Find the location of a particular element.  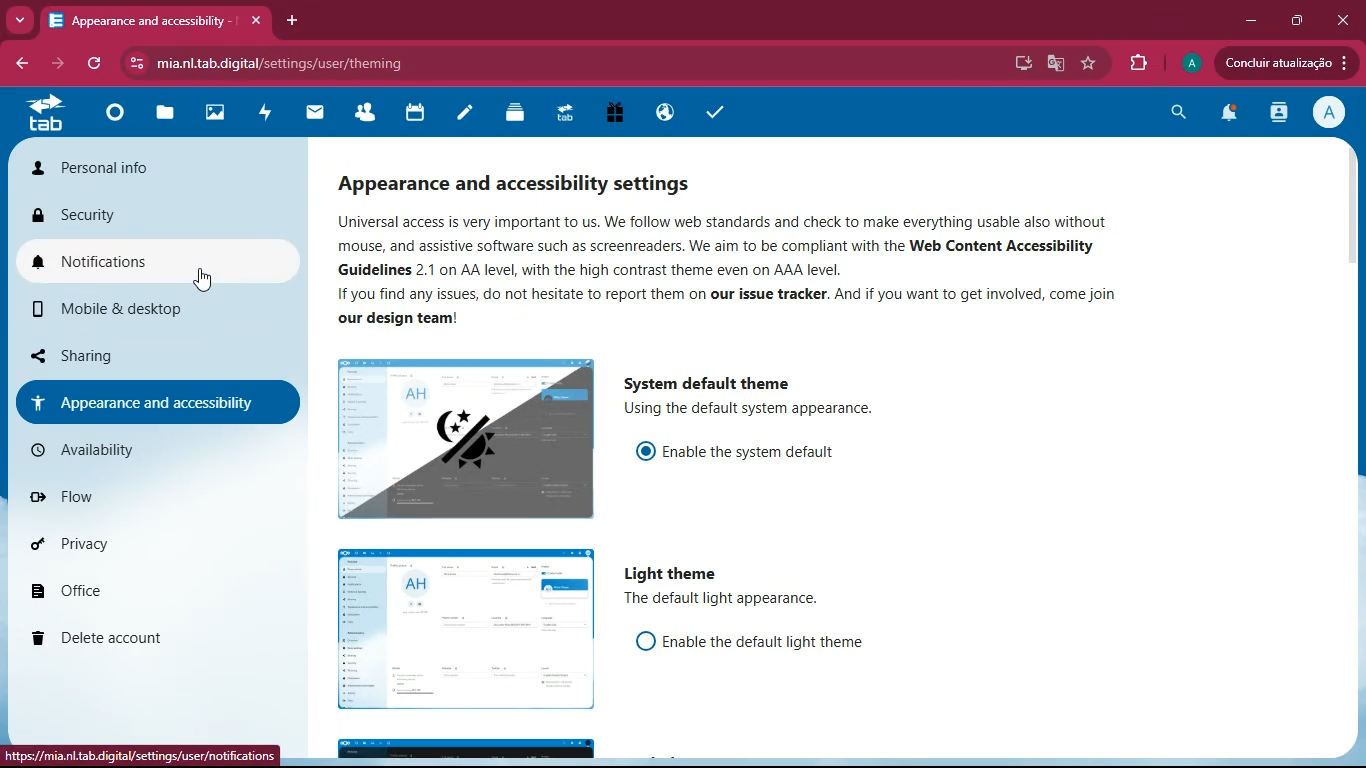

cursor is located at coordinates (209, 284).